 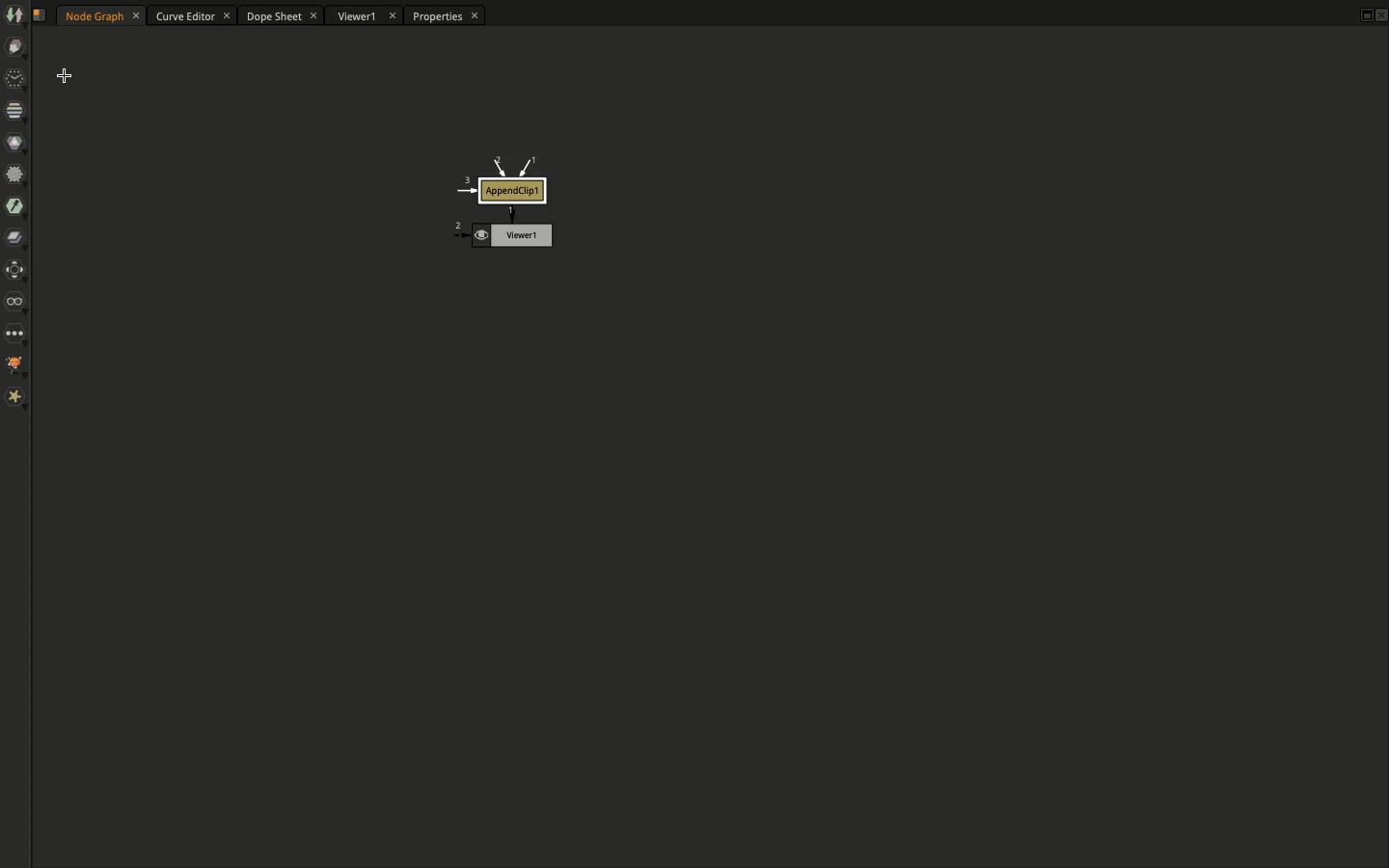 What do you see at coordinates (15, 175) in the screenshot?
I see `Filter` at bounding box center [15, 175].